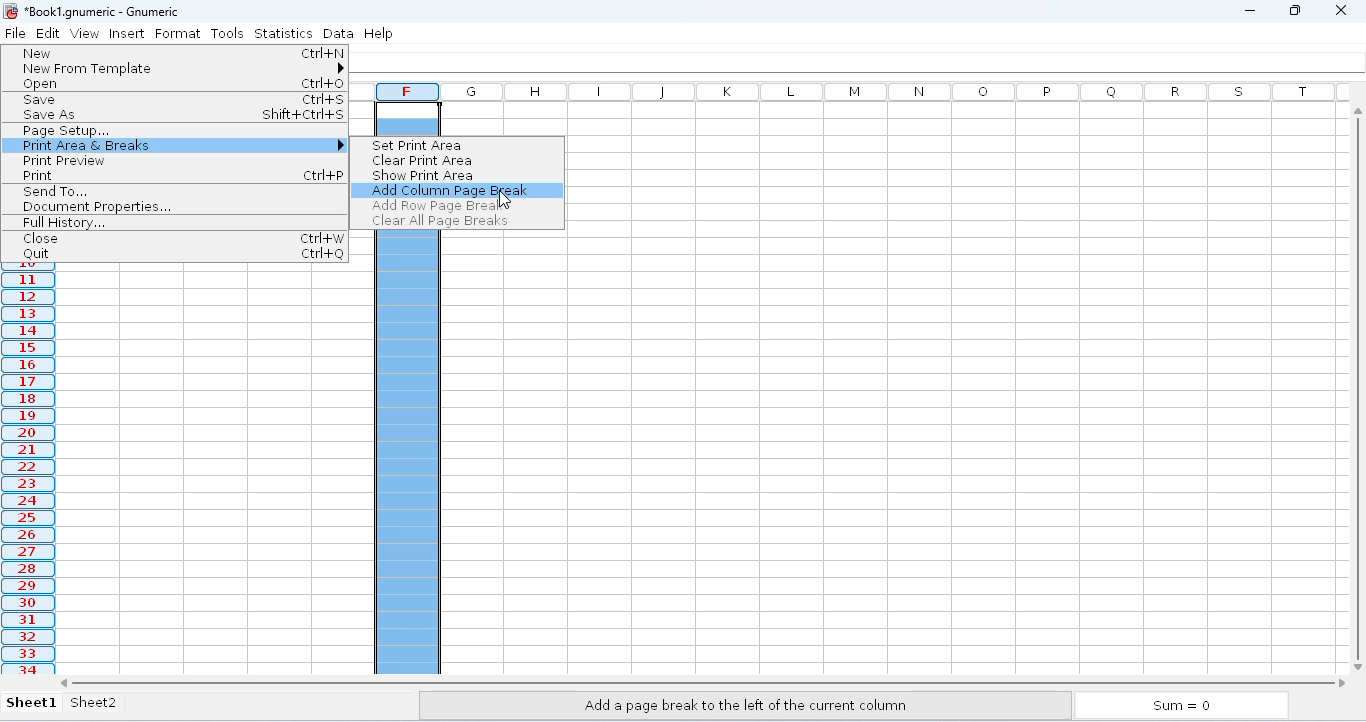  I want to click on send to, so click(54, 191).